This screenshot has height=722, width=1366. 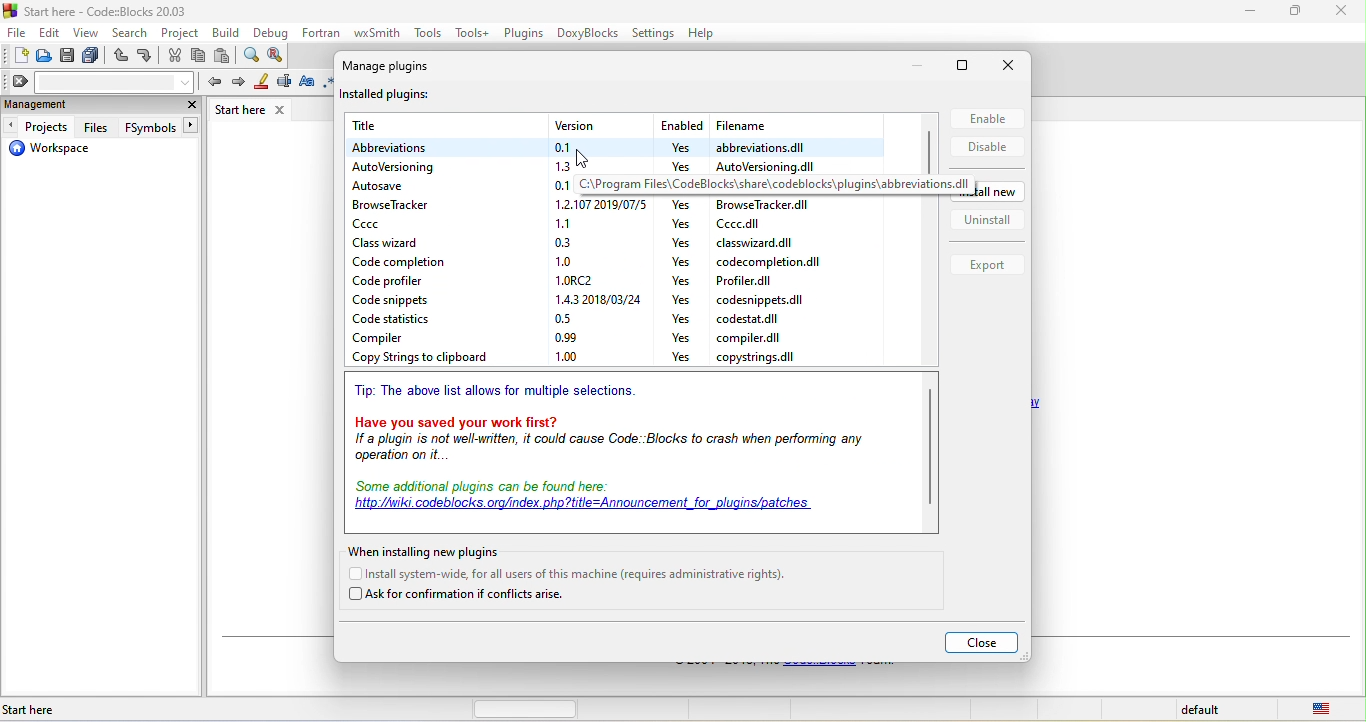 I want to click on abbreviation, so click(x=409, y=146).